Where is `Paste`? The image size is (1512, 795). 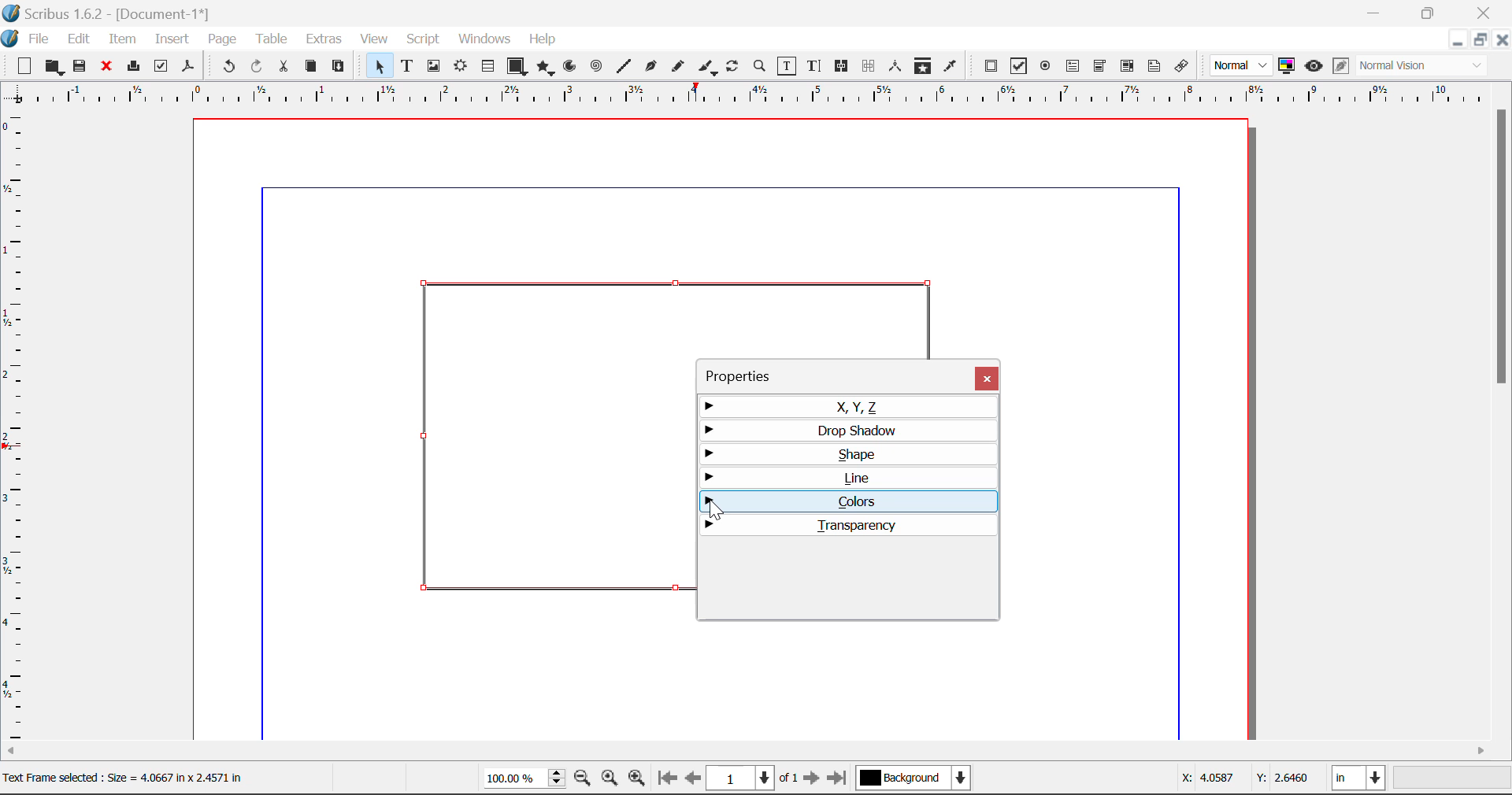 Paste is located at coordinates (339, 67).